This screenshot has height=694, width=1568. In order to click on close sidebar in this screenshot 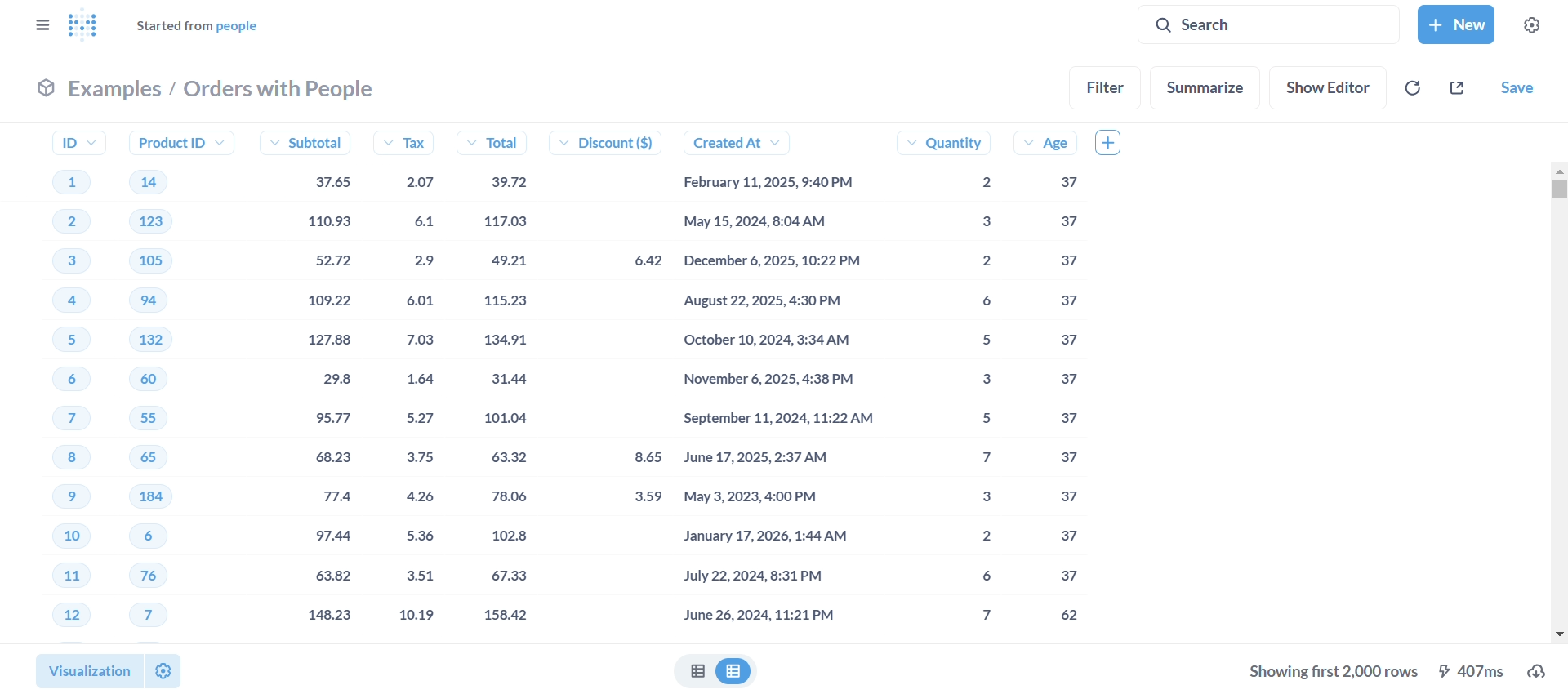, I will do `click(41, 24)`.